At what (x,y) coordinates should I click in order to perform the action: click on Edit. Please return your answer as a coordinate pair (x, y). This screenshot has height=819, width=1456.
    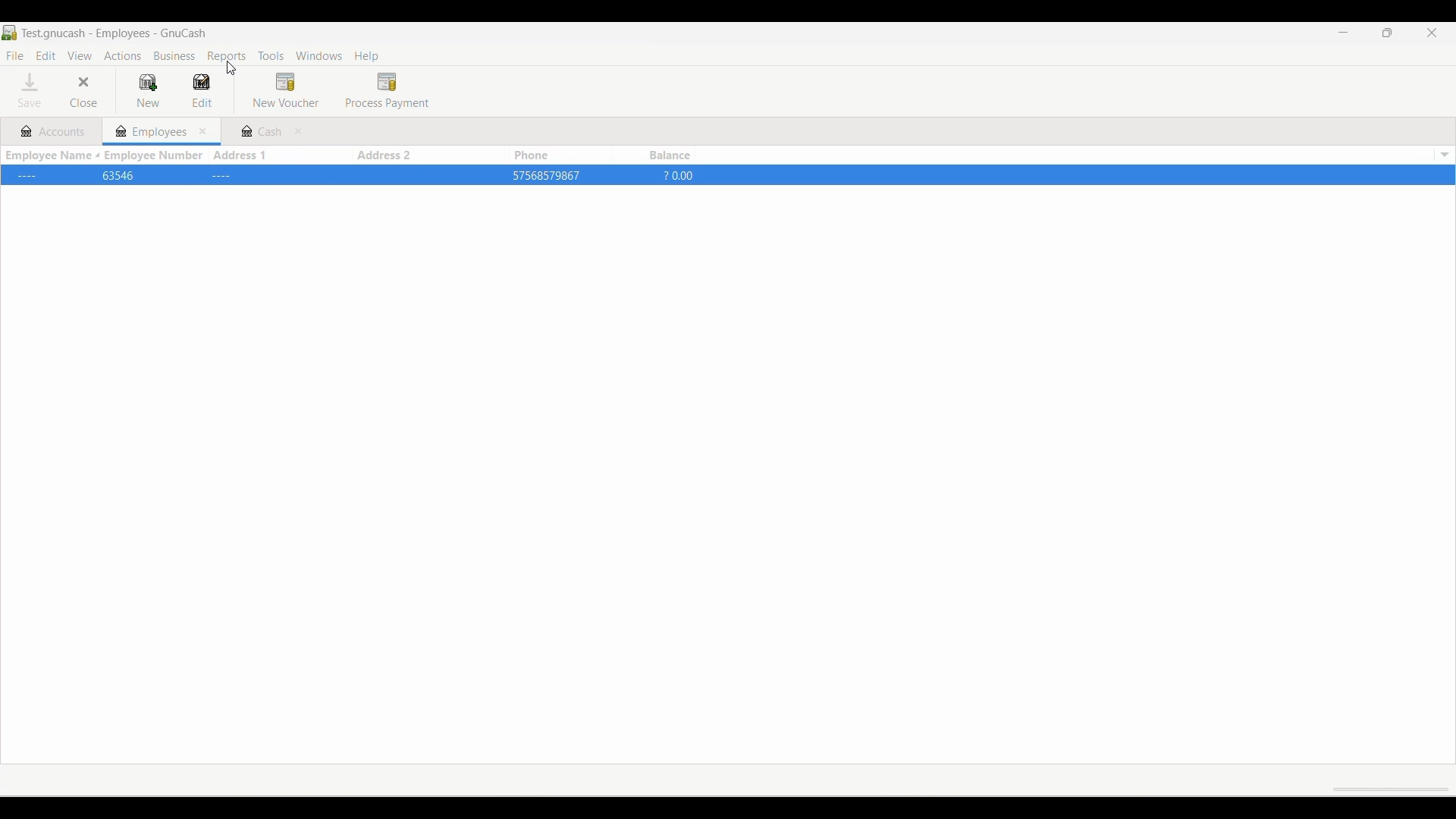
    Looking at the image, I should click on (46, 55).